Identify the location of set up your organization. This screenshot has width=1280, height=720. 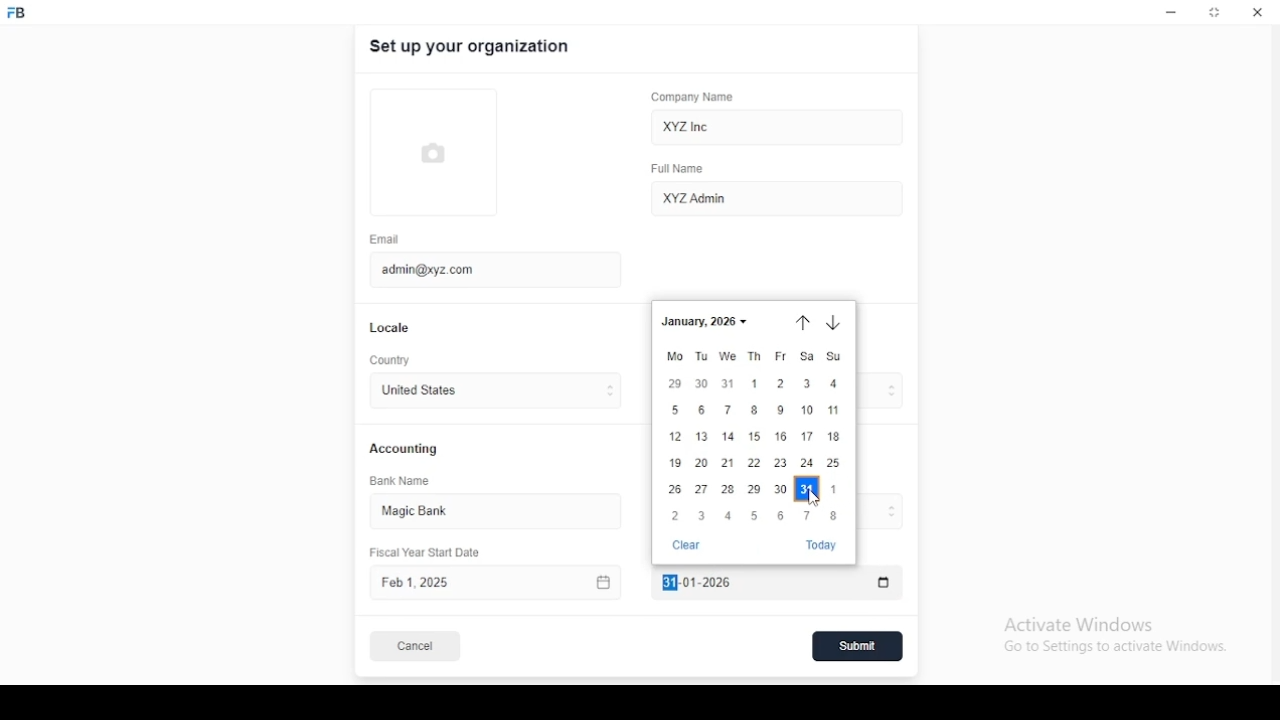
(471, 47).